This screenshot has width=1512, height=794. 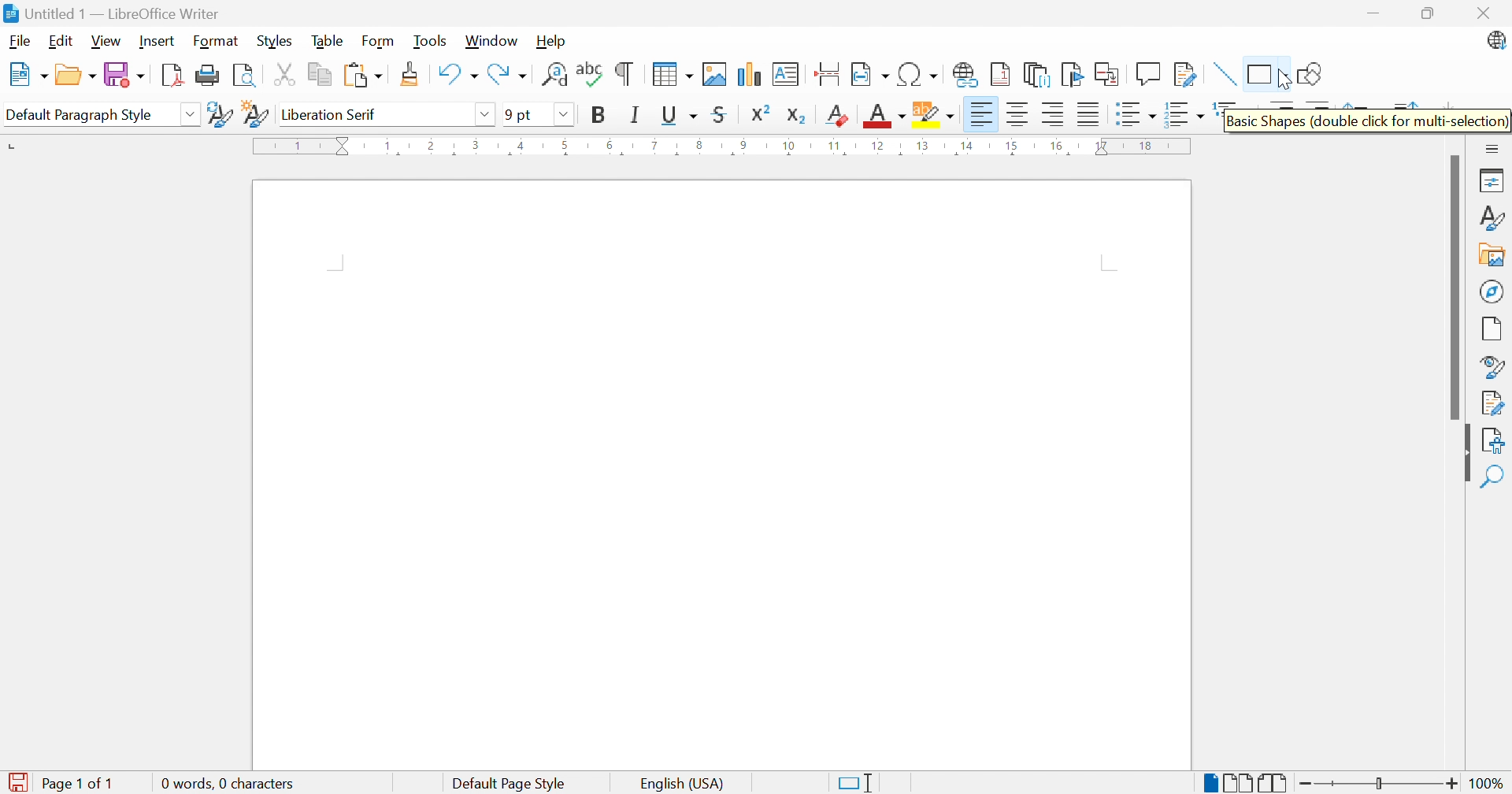 I want to click on Insert line, so click(x=1226, y=74).